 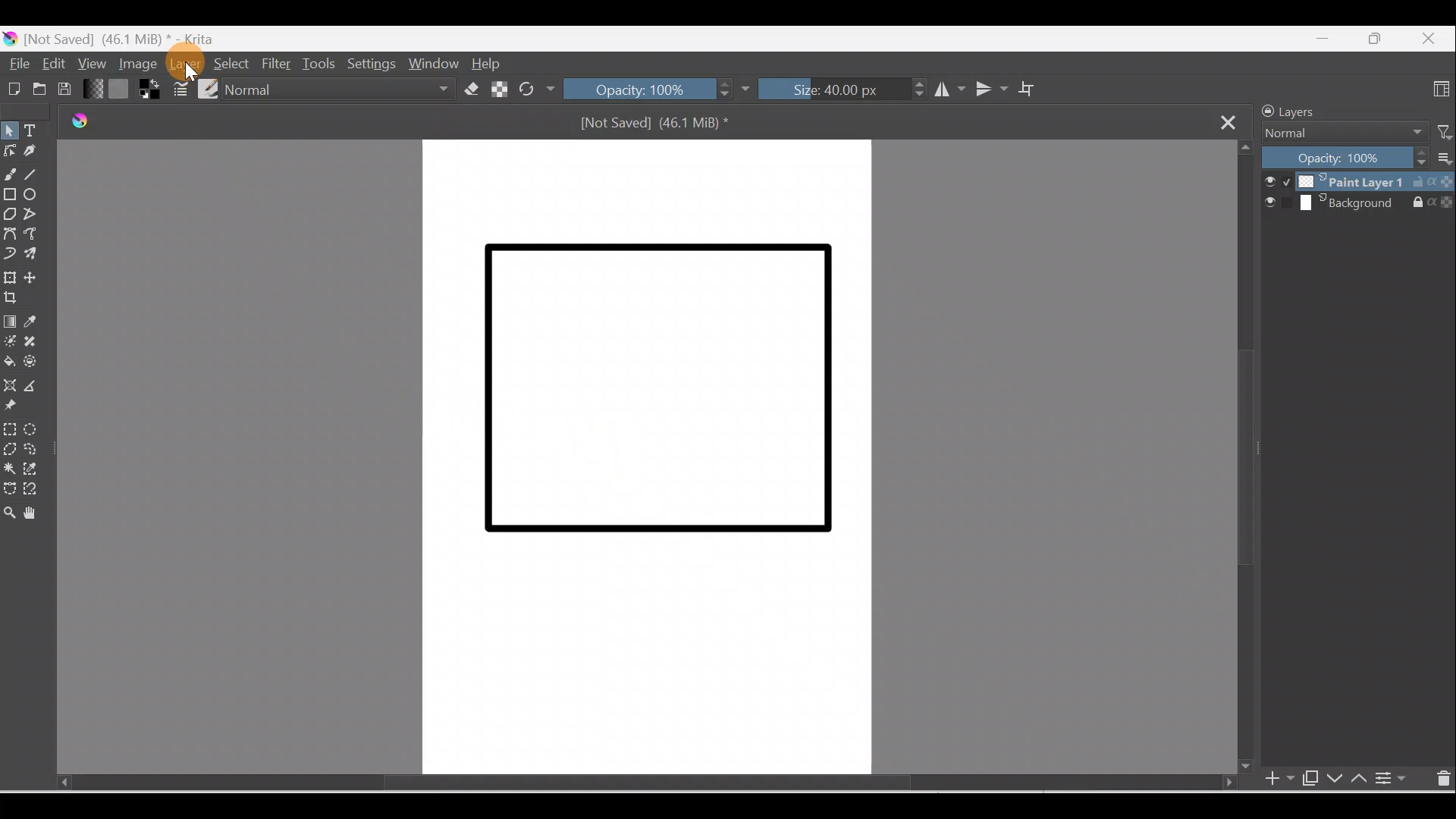 What do you see at coordinates (1375, 39) in the screenshot?
I see `Maximize` at bounding box center [1375, 39].